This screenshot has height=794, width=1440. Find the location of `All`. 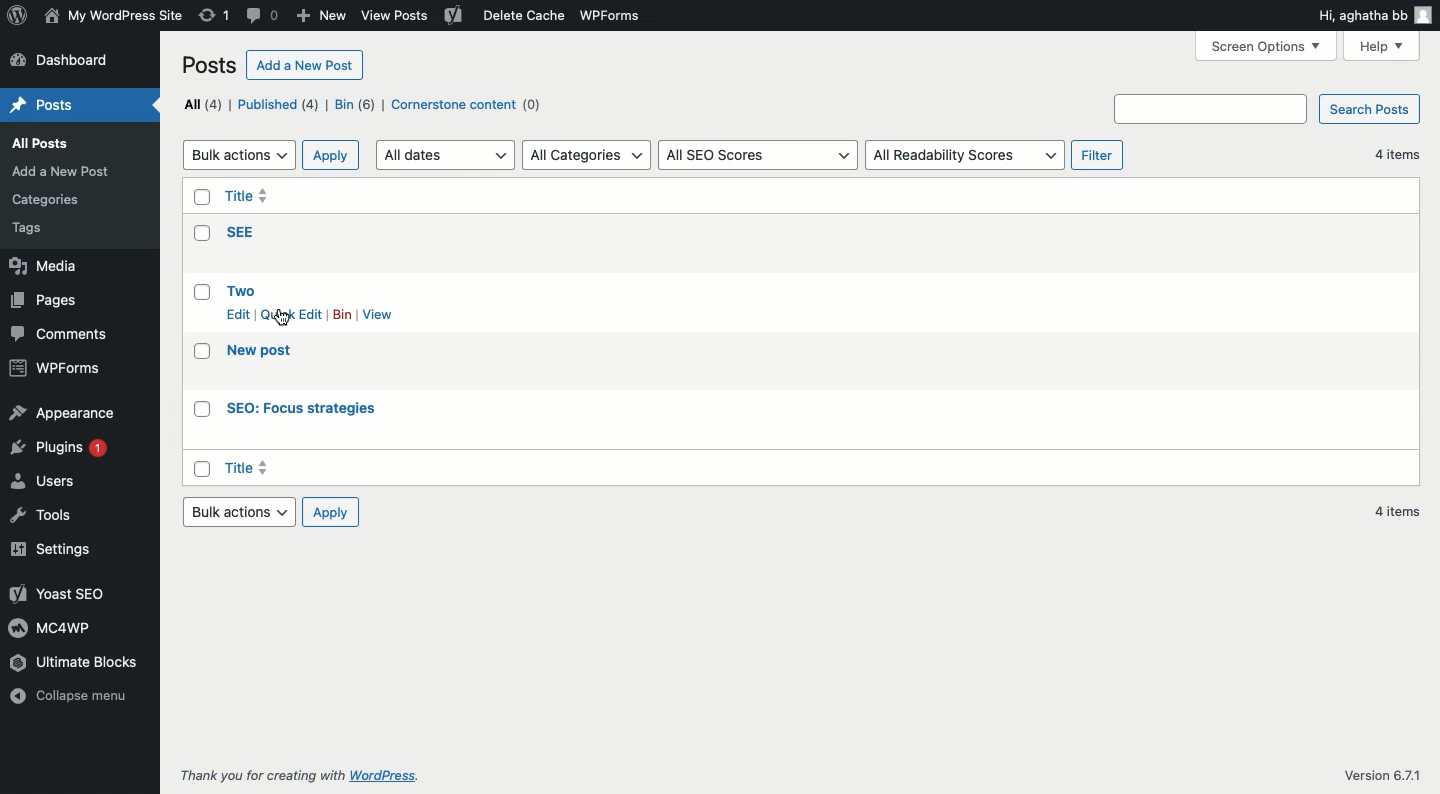

All is located at coordinates (202, 103).